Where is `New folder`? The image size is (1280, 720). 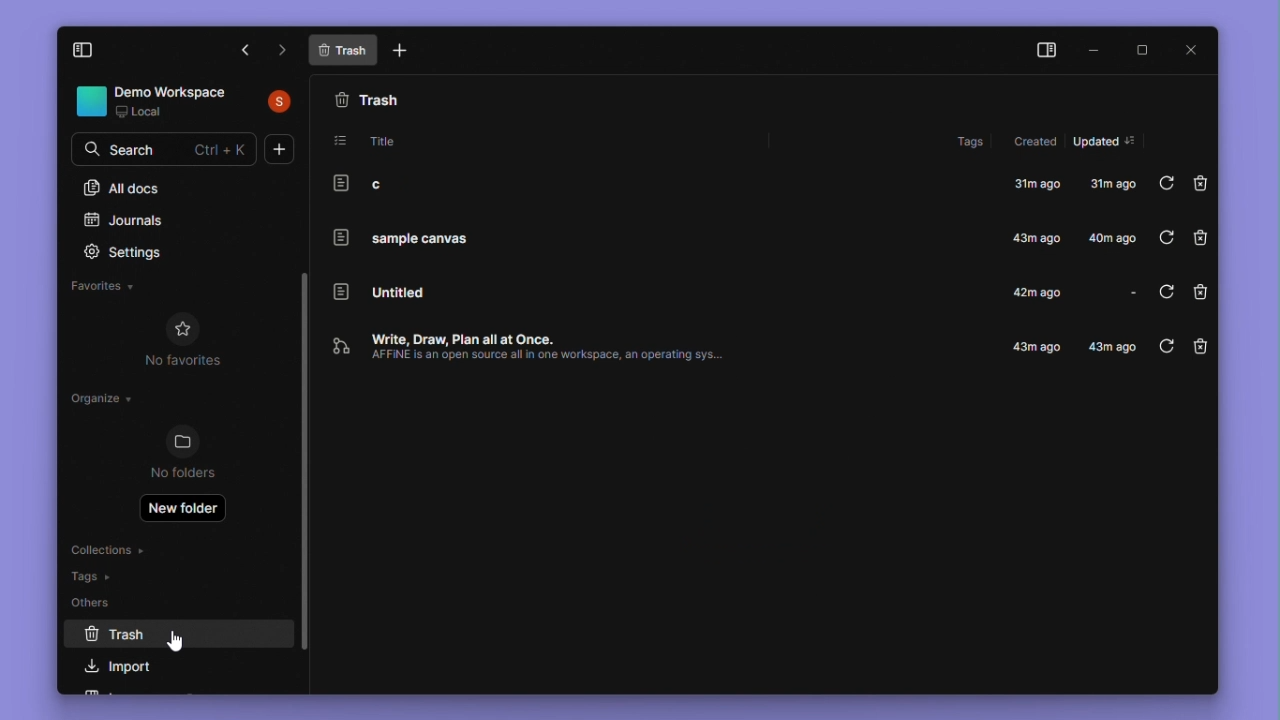
New folder is located at coordinates (184, 509).